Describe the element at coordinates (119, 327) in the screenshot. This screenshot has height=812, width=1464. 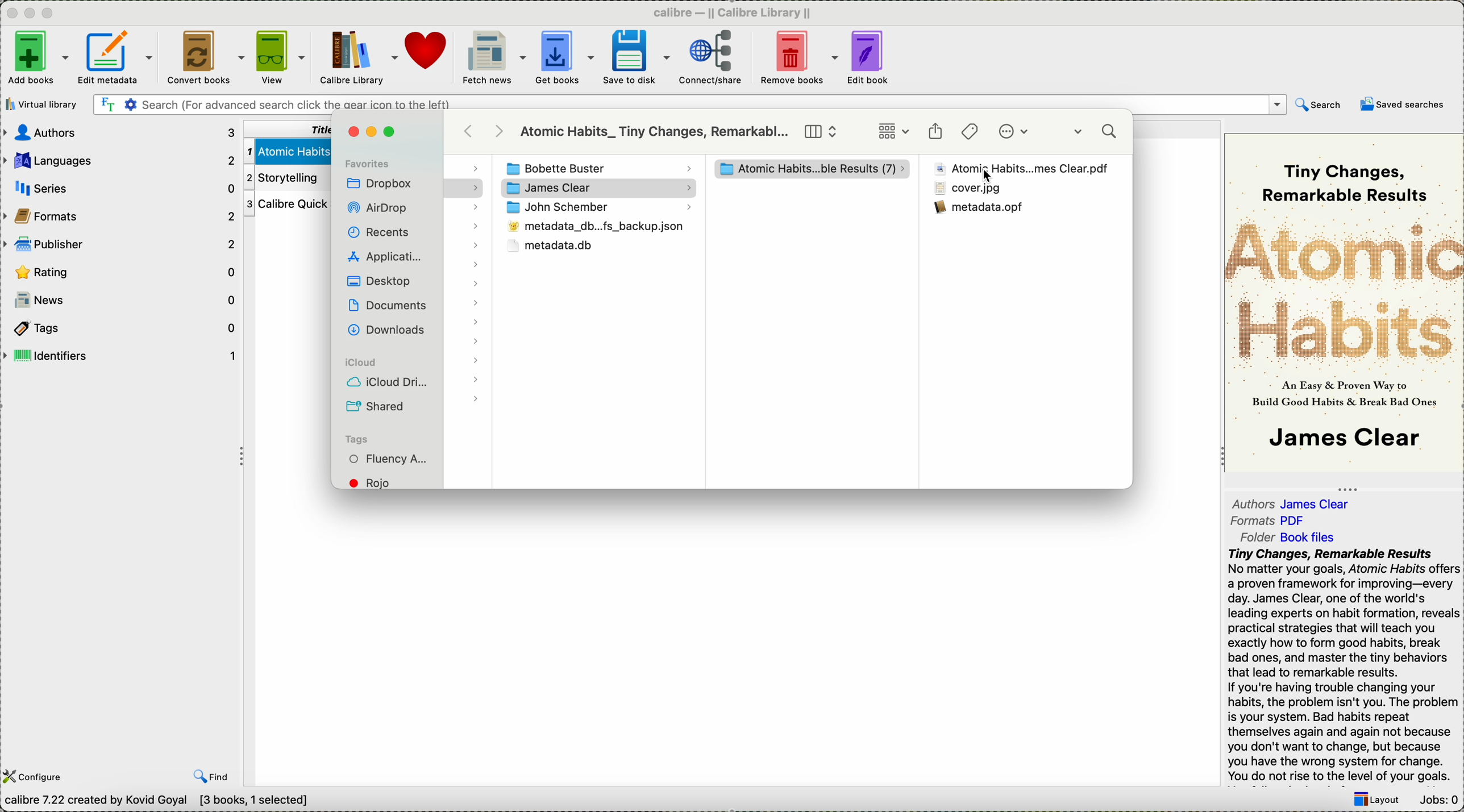
I see `tags` at that location.